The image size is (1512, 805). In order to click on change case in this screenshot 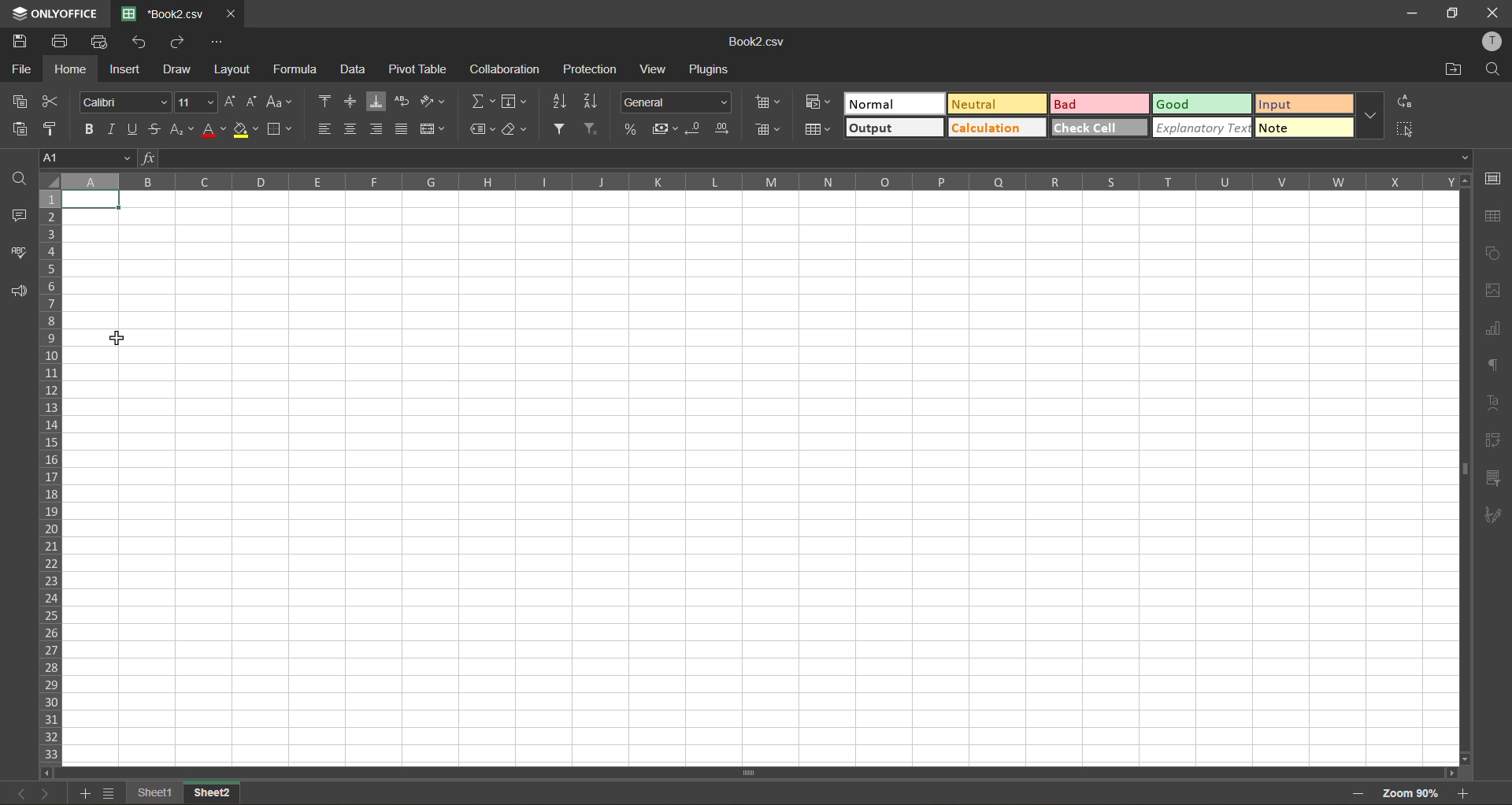, I will do `click(282, 102)`.